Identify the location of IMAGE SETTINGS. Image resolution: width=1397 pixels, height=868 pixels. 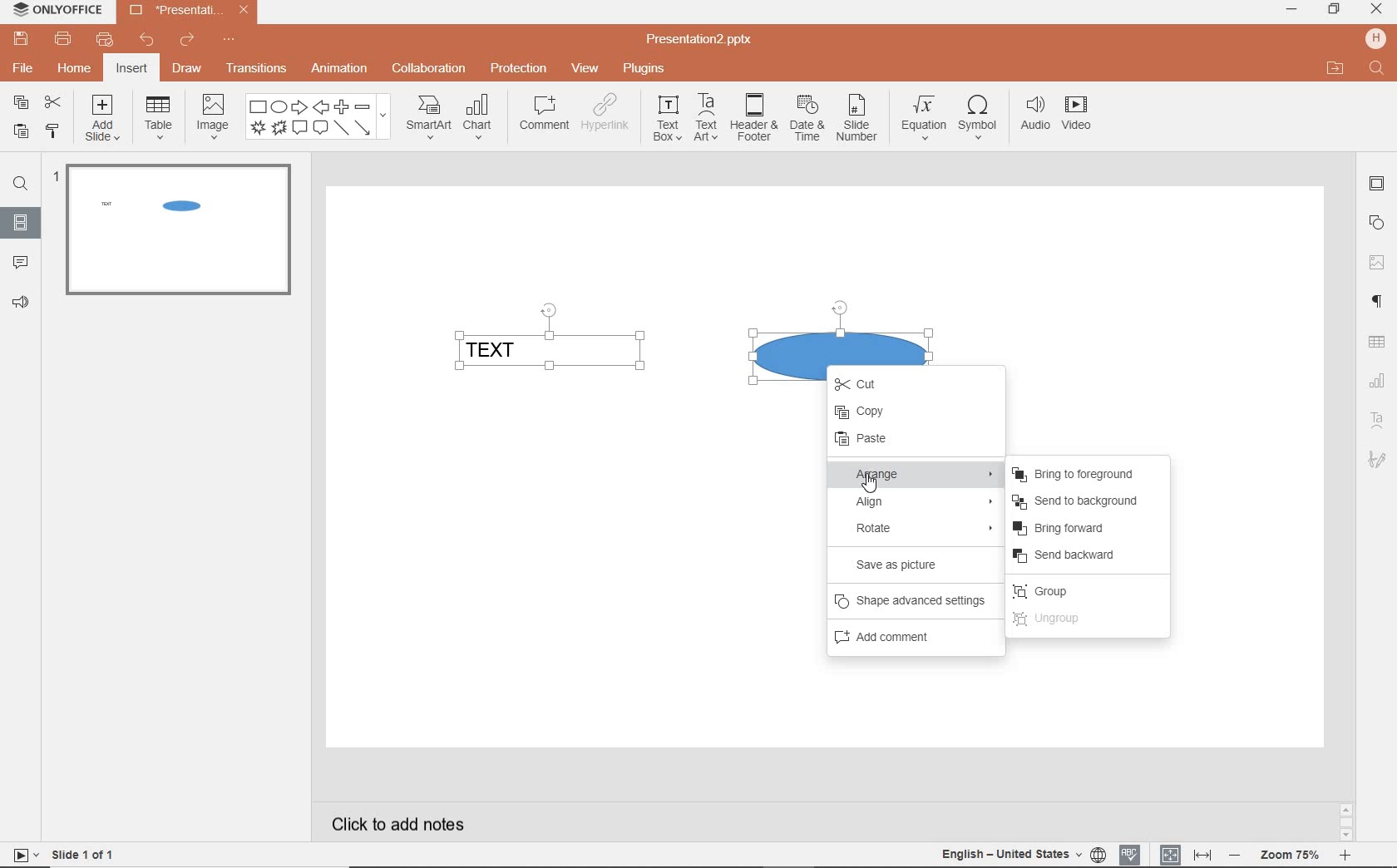
(1377, 262).